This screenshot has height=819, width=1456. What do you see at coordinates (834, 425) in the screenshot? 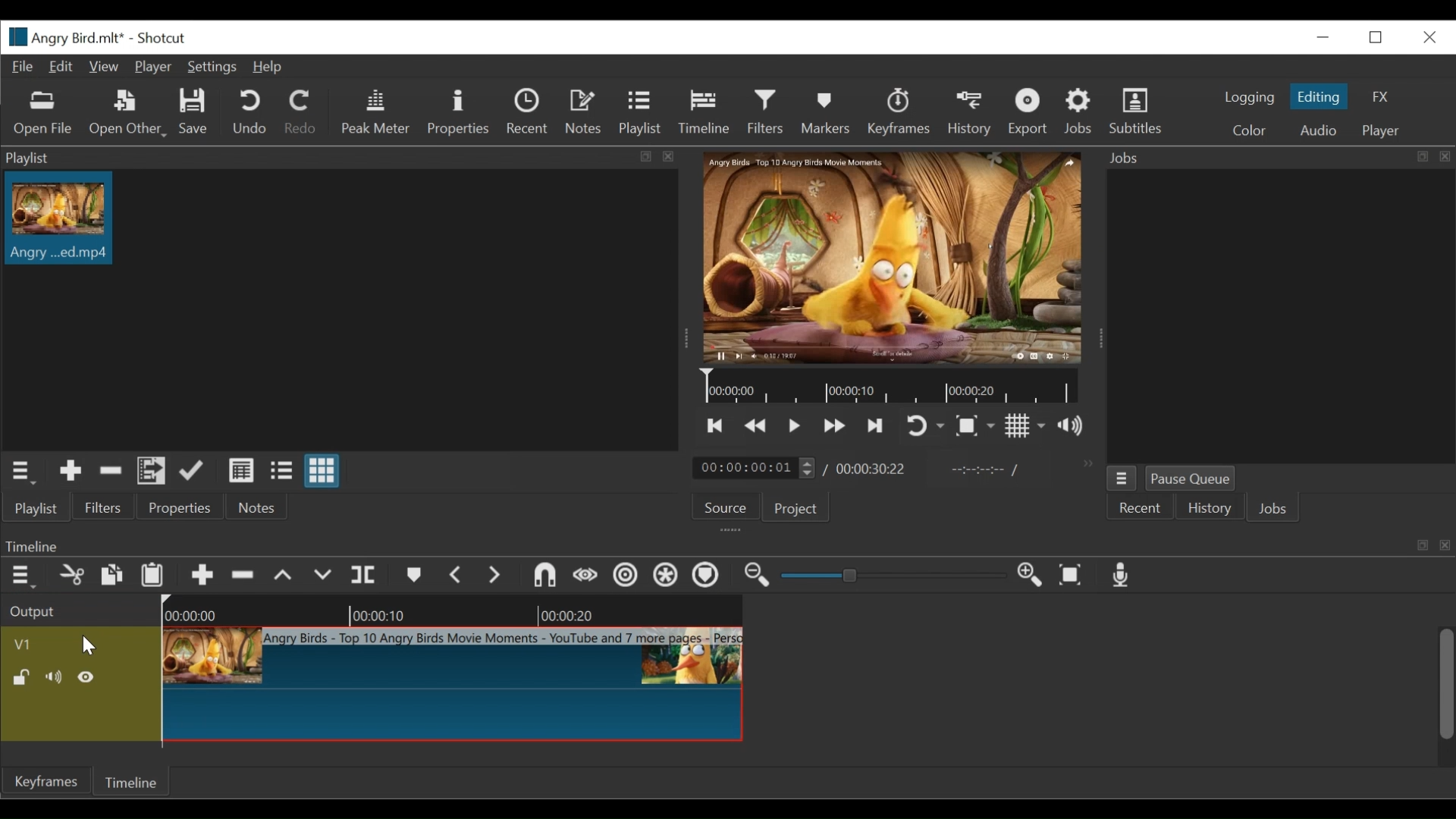
I see `Play forward quickly` at bounding box center [834, 425].